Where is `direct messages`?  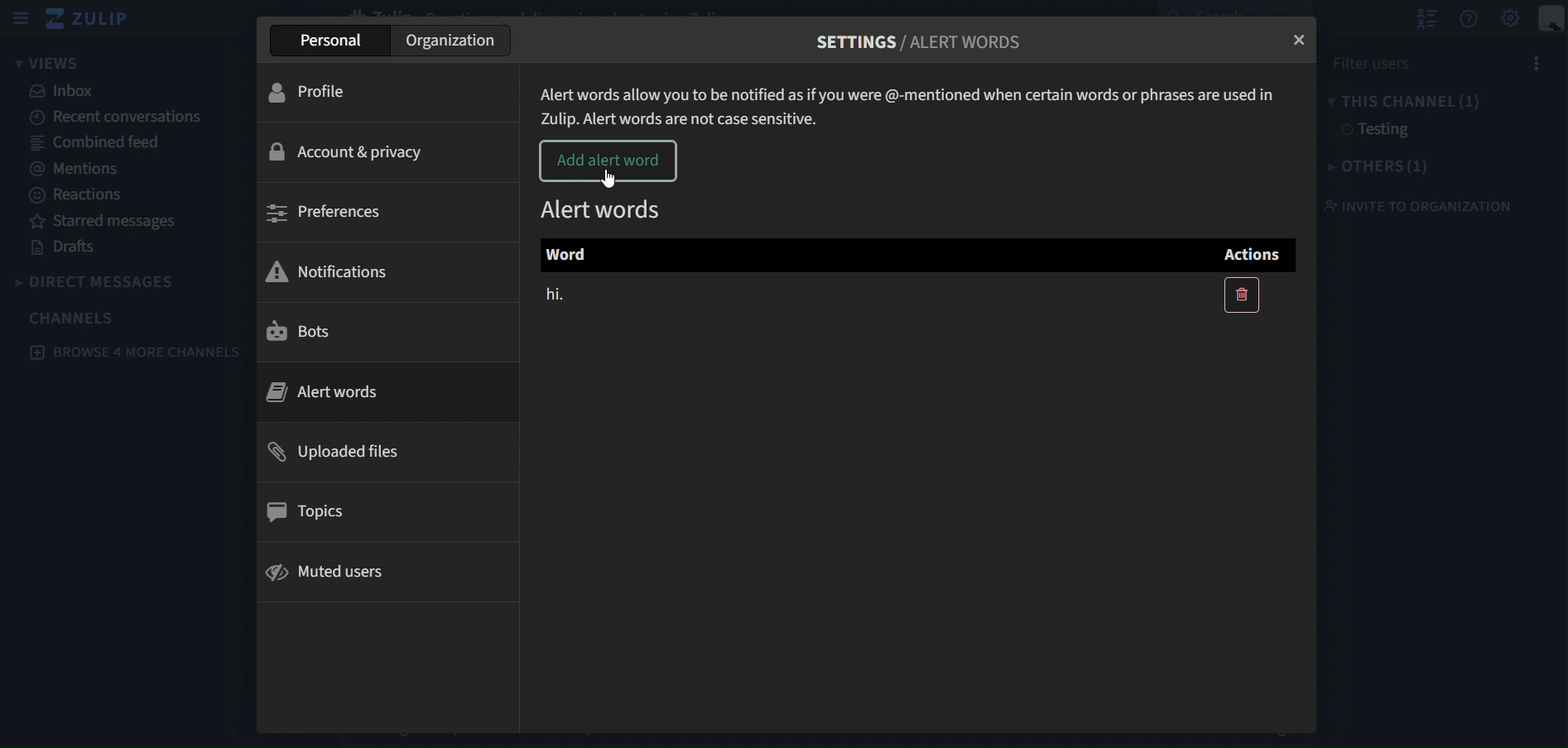 direct messages is located at coordinates (100, 280).